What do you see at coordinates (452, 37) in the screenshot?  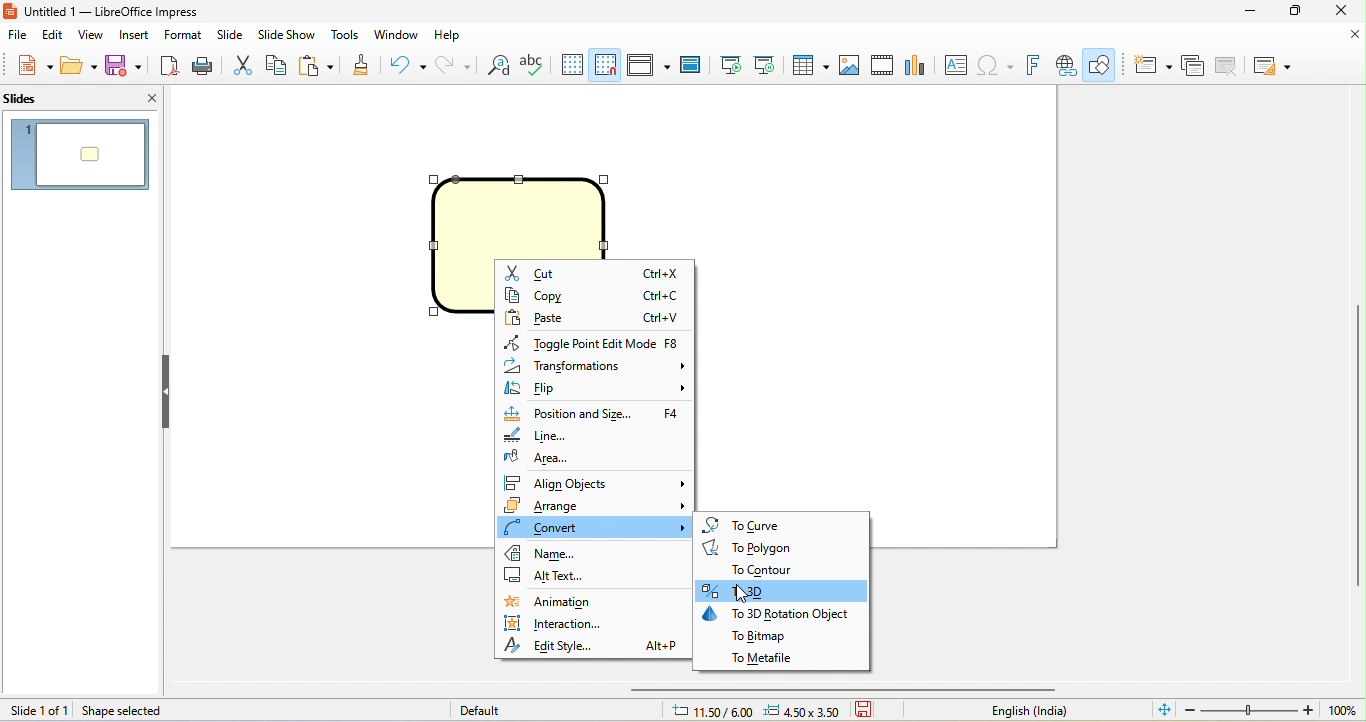 I see `help` at bounding box center [452, 37].